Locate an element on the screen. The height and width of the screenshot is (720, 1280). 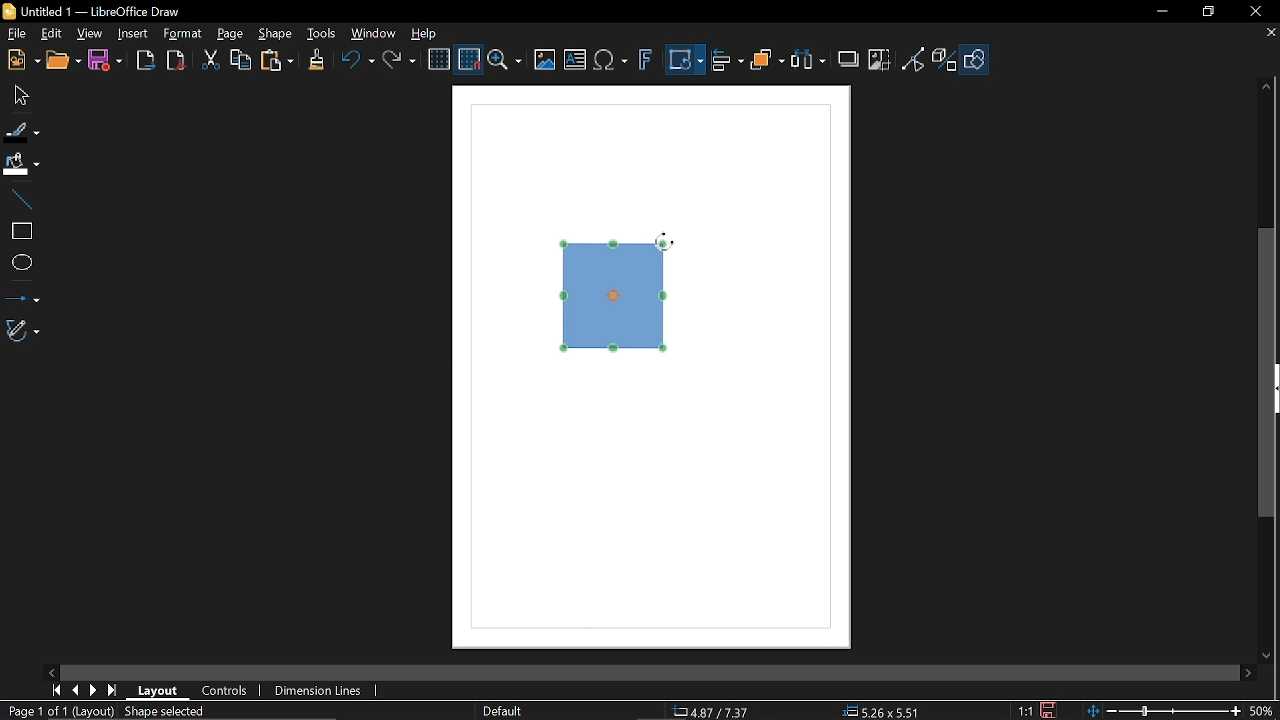
Paste is located at coordinates (276, 63).